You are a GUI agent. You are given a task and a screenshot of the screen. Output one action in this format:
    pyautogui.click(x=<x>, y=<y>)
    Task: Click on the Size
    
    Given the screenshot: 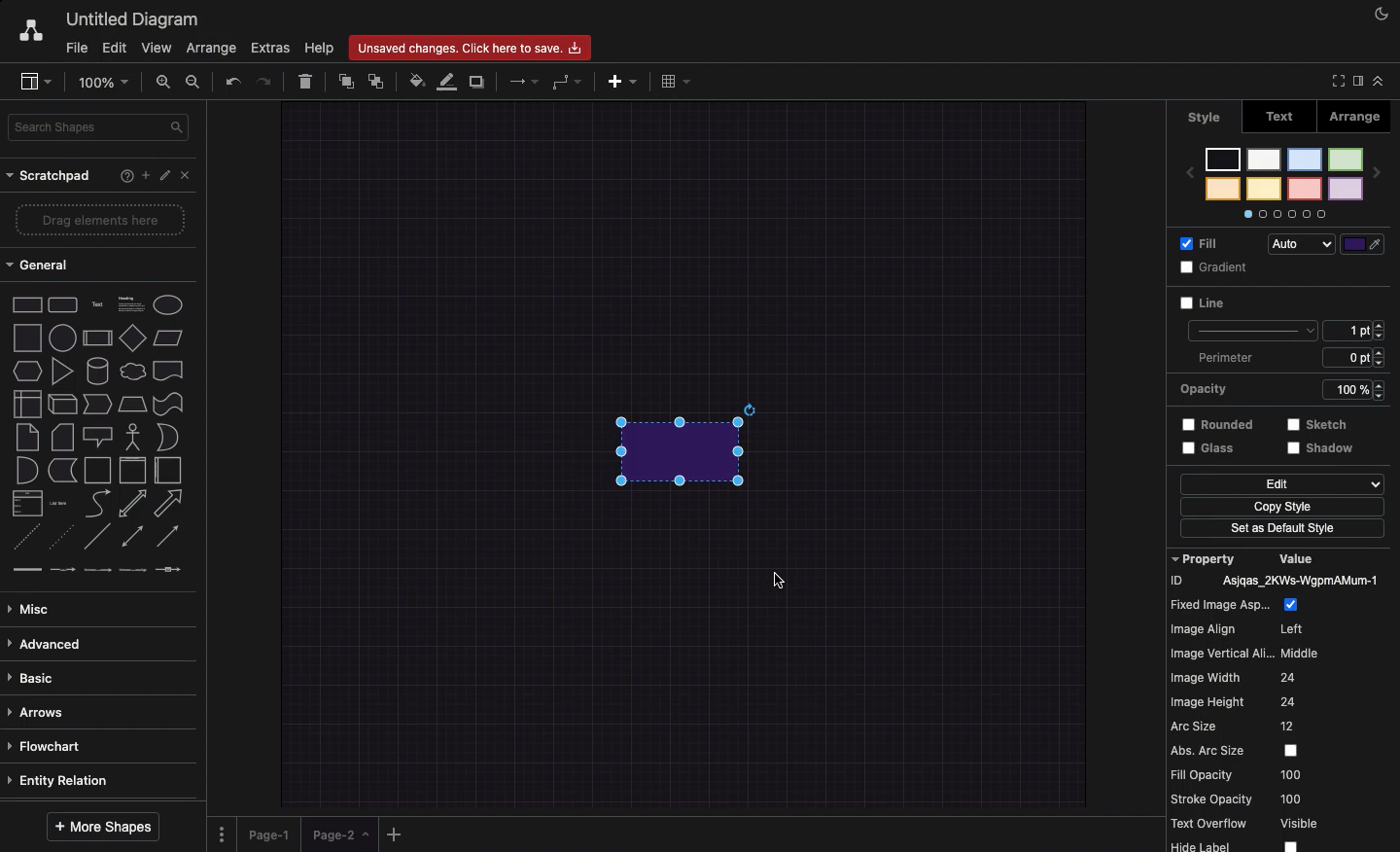 What is the action you would take?
    pyautogui.click(x=1359, y=345)
    